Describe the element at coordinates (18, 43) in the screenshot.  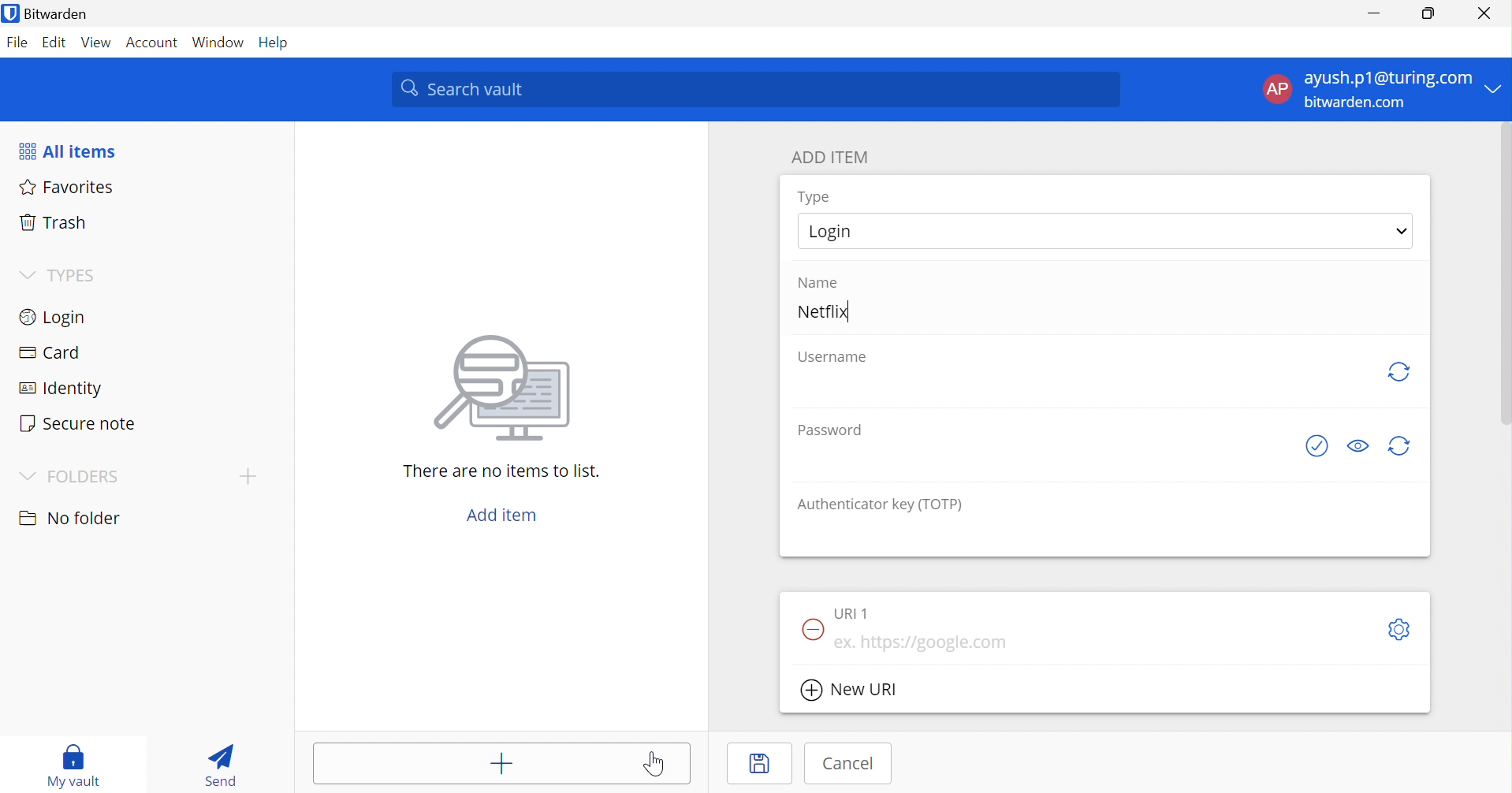
I see `File` at that location.